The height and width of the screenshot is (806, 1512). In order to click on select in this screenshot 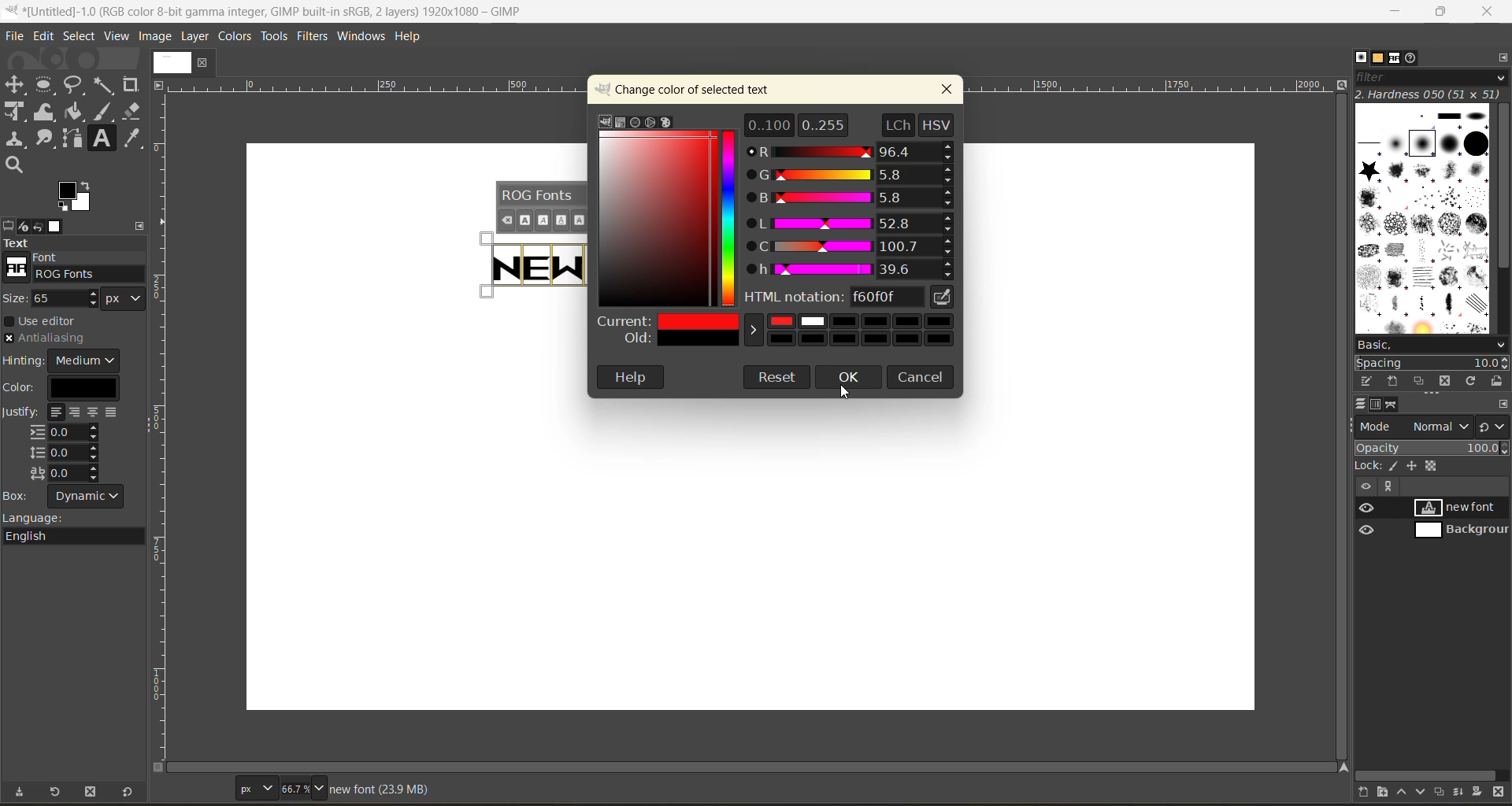, I will do `click(80, 35)`.